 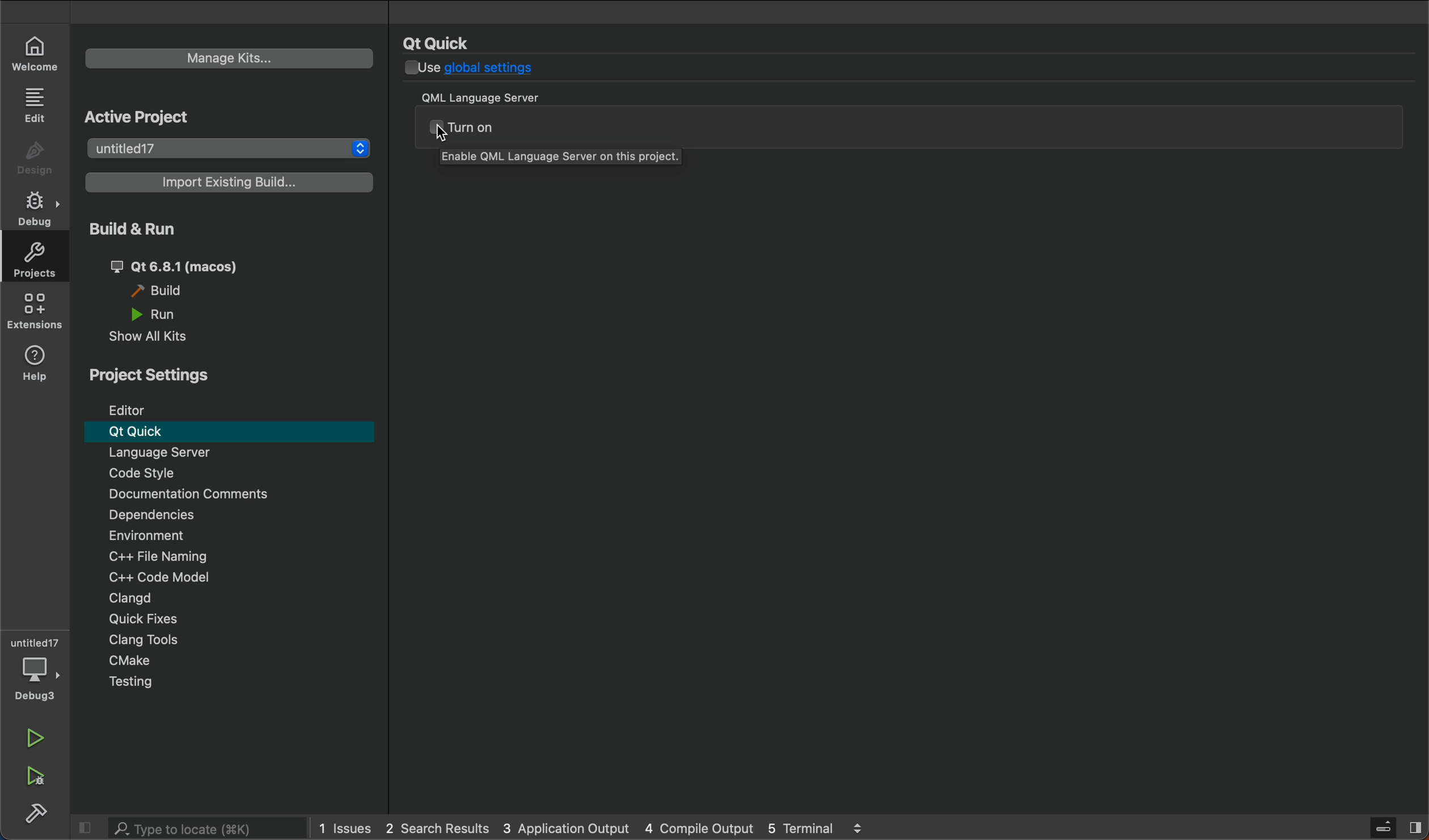 What do you see at coordinates (38, 779) in the screenshot?
I see `run and debug` at bounding box center [38, 779].